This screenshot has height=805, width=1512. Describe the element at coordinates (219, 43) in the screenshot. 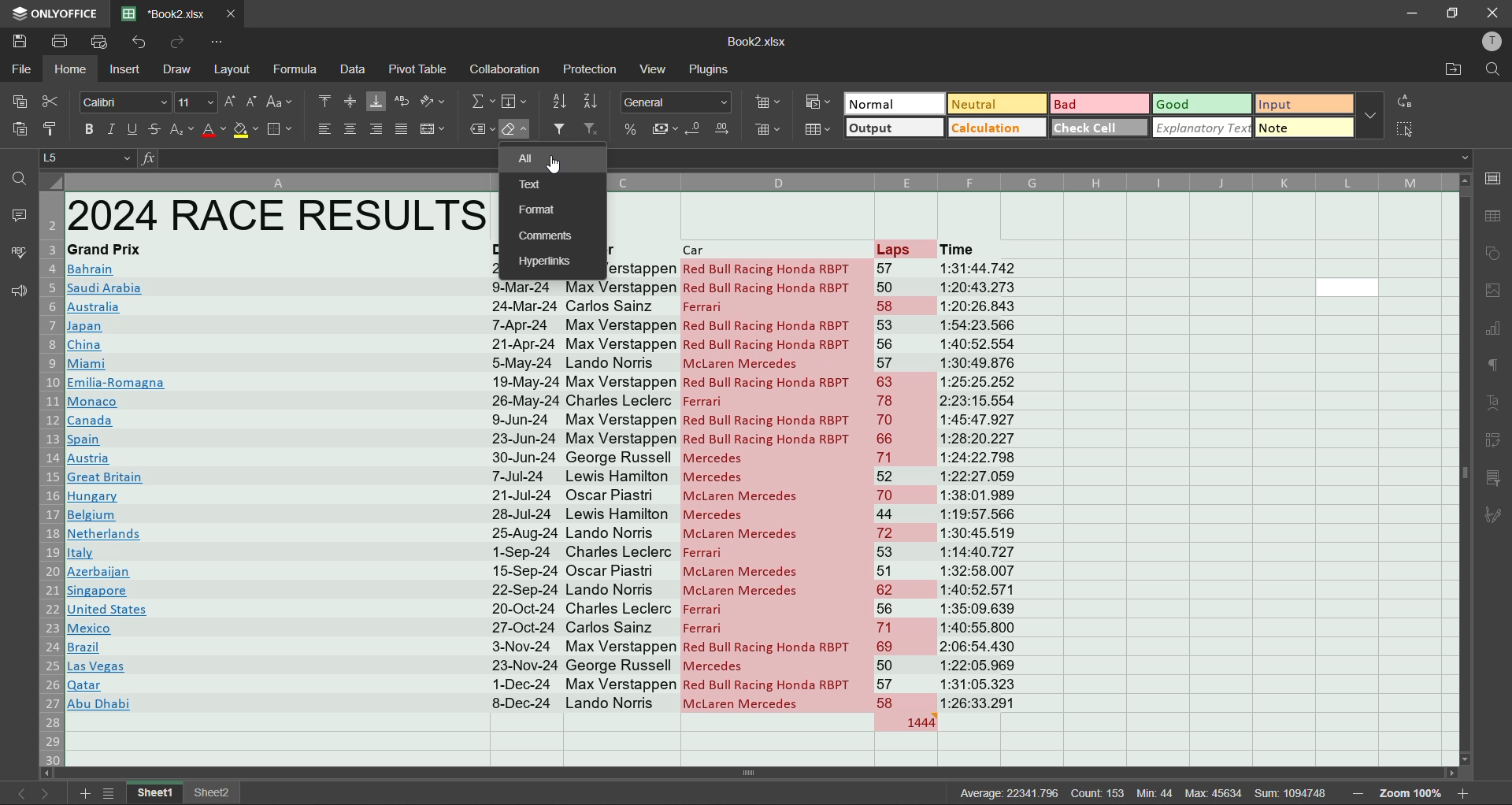

I see `customize quick access toolbar` at that location.